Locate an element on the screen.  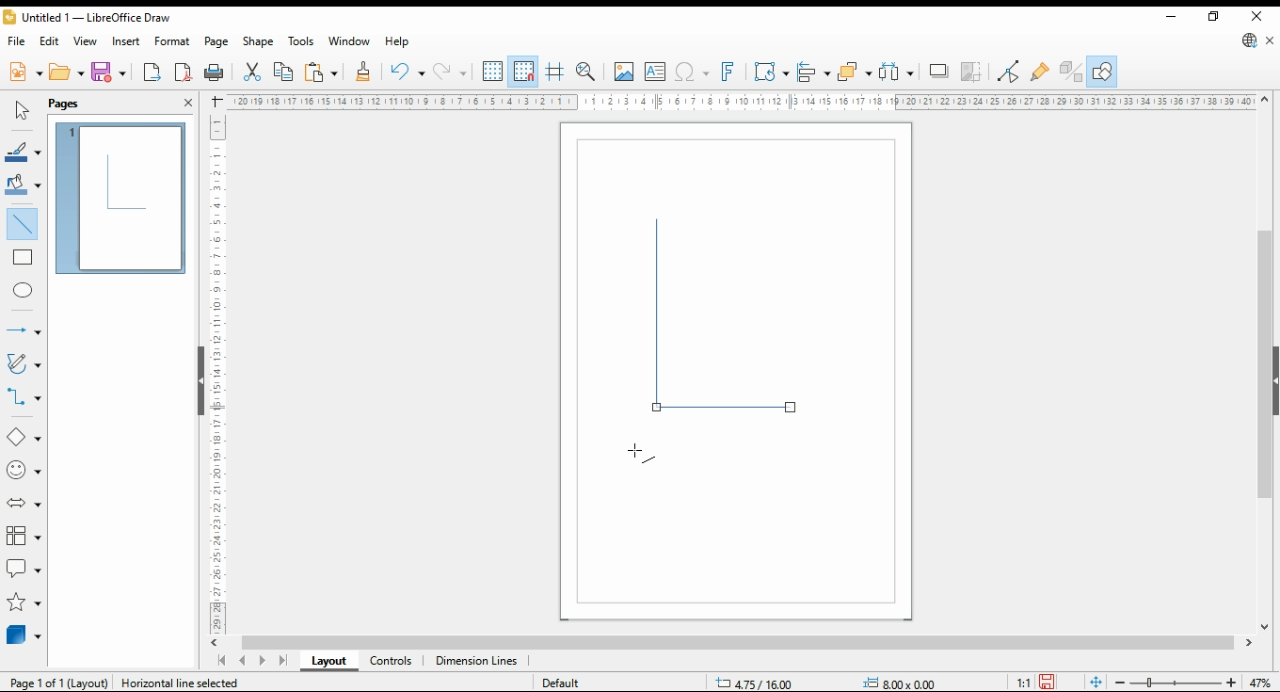
page is located at coordinates (218, 42).